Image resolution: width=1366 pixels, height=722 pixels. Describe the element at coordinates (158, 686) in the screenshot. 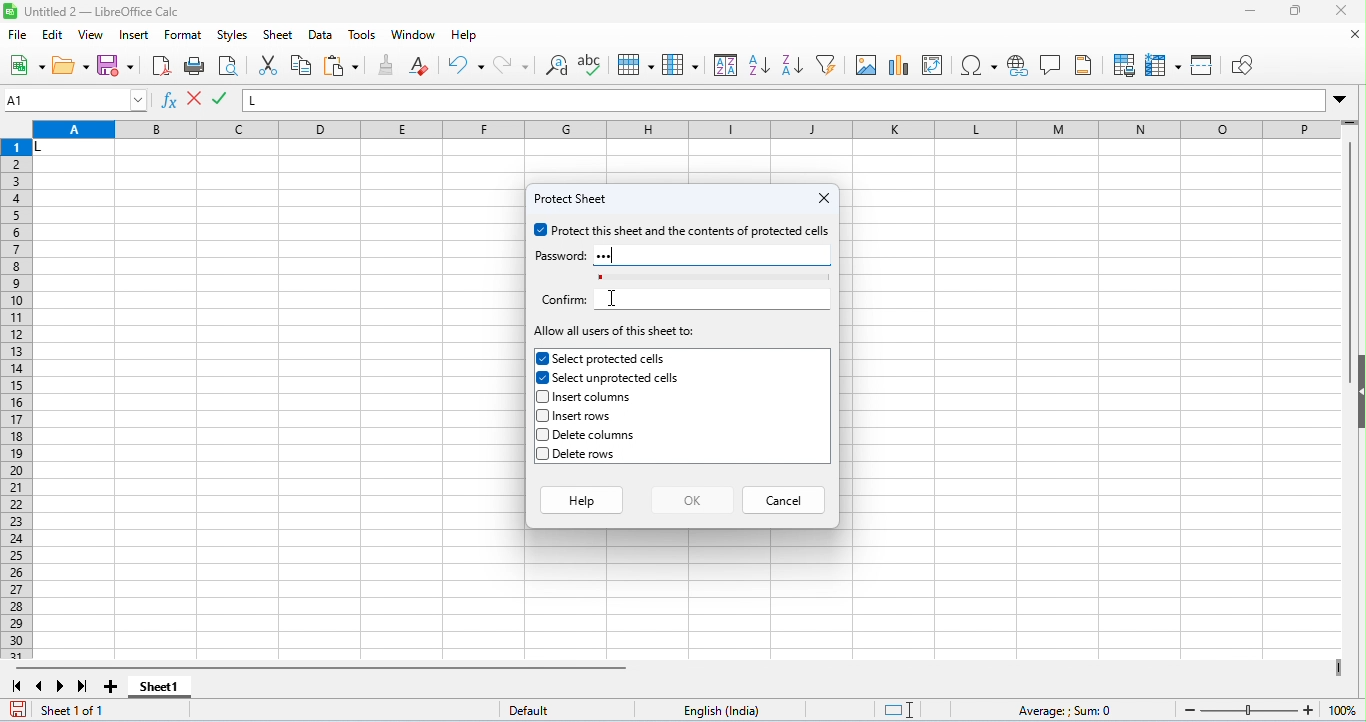

I see `sheet 1` at that location.